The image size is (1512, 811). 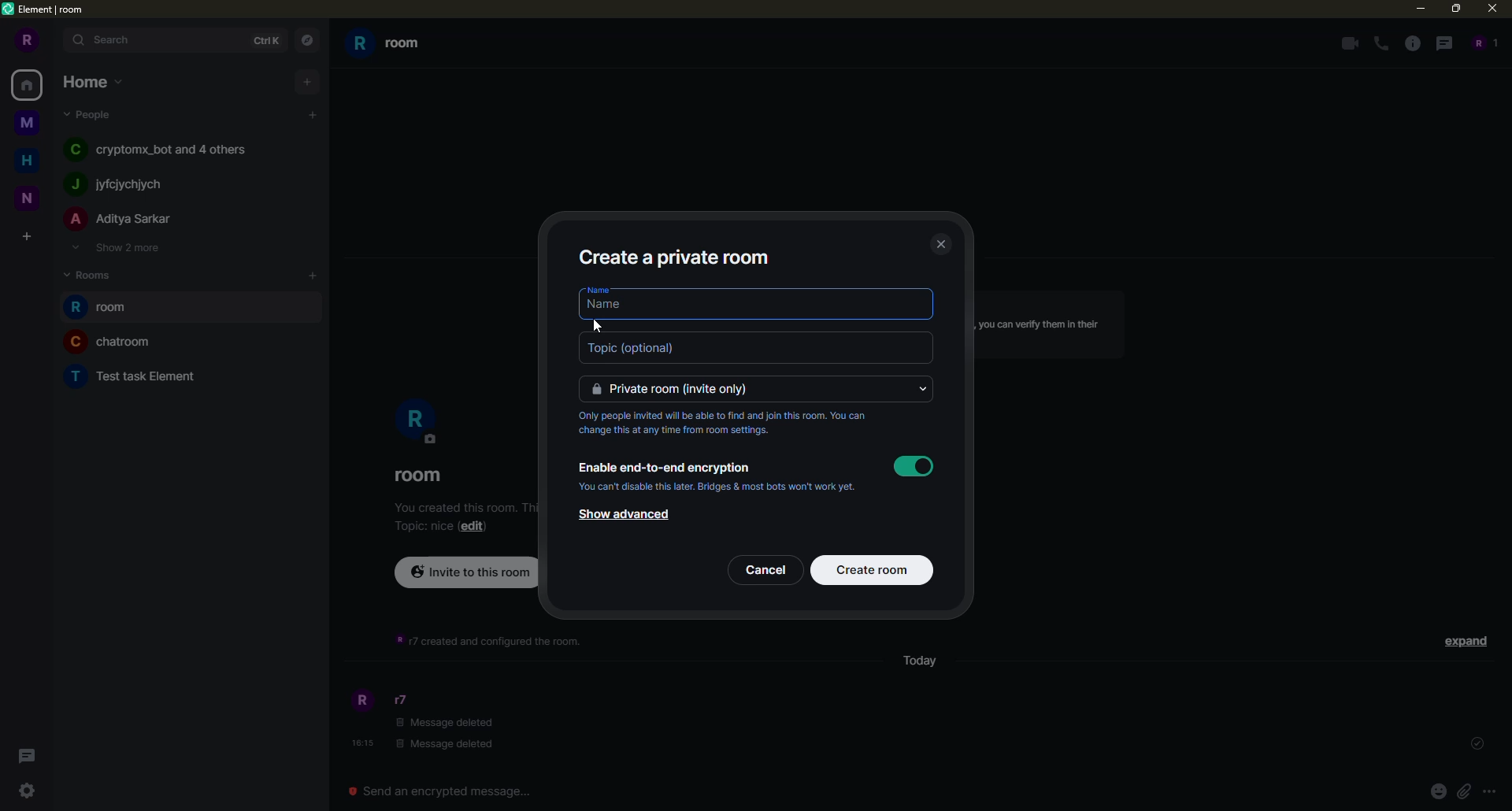 I want to click on room, so click(x=139, y=376).